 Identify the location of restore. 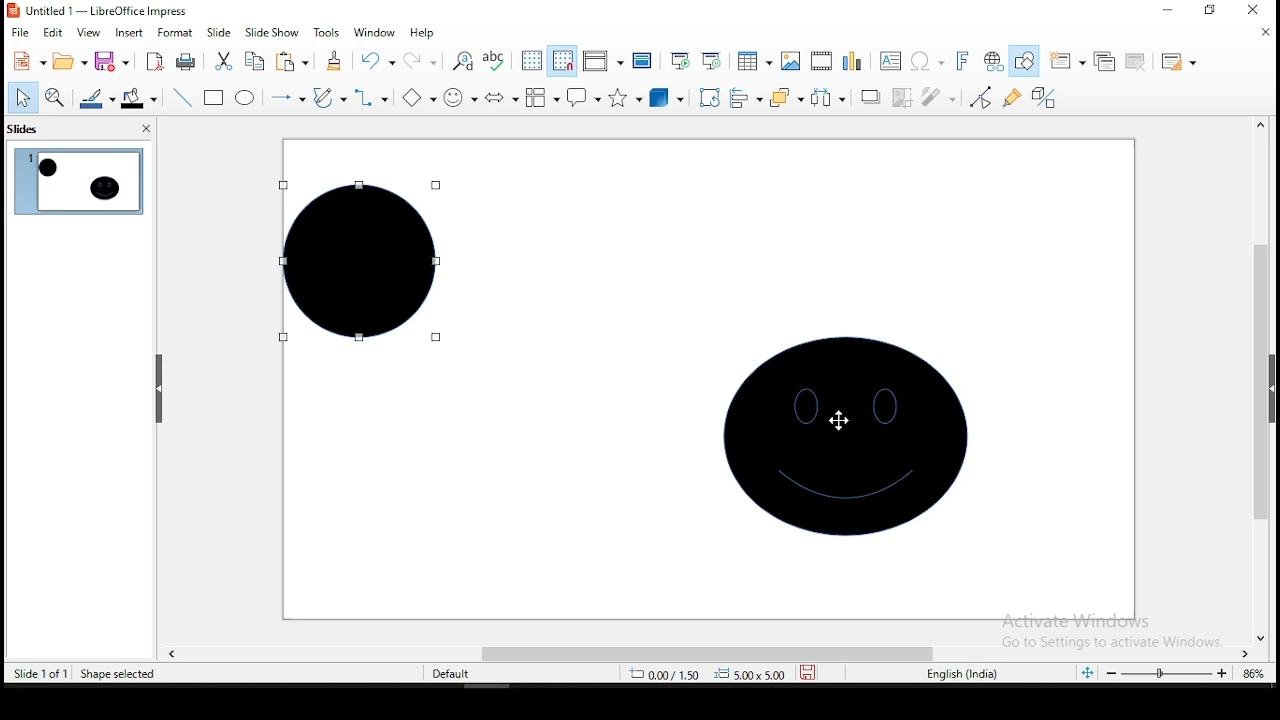
(1209, 12).